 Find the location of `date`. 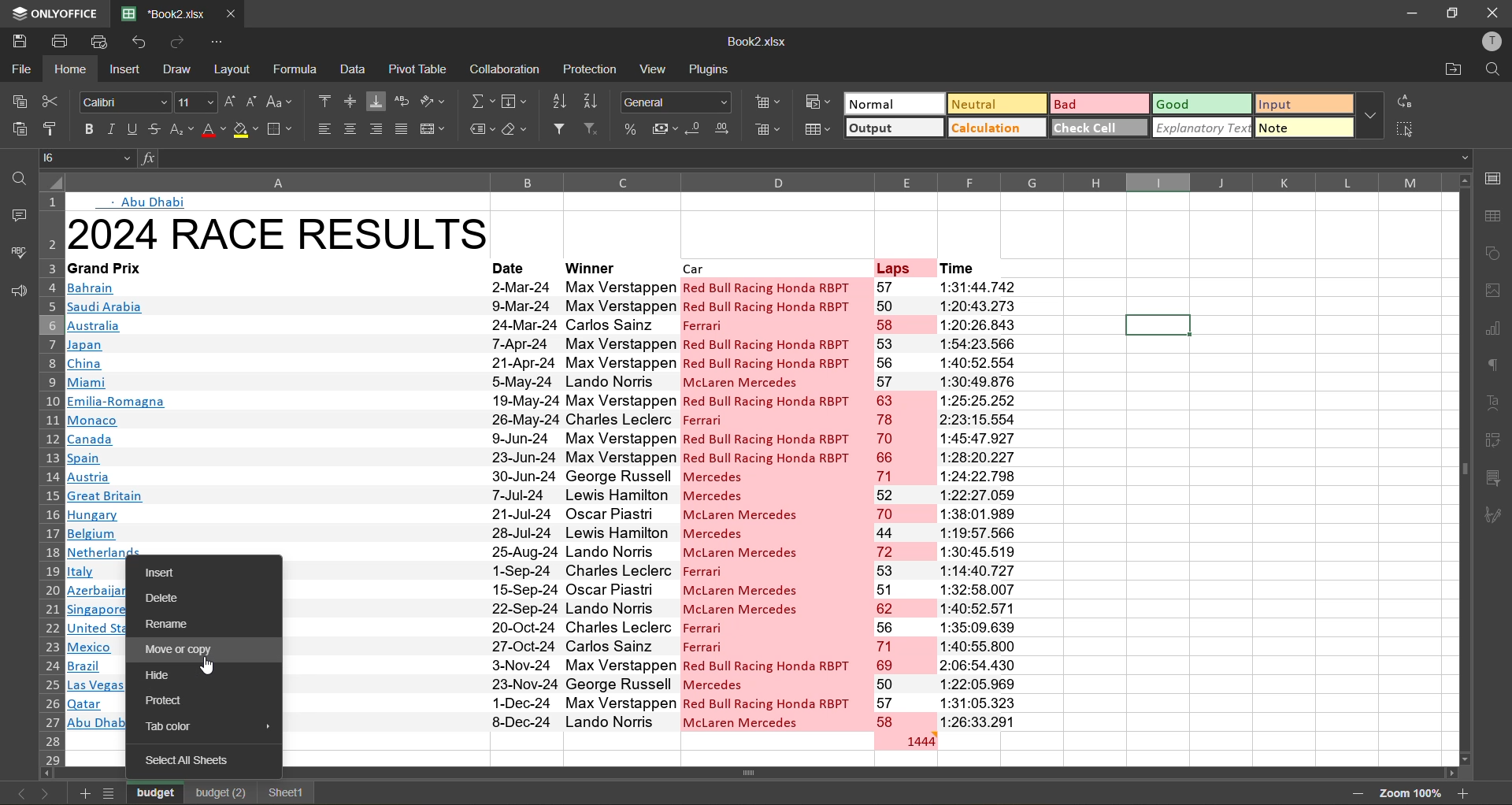

date is located at coordinates (513, 266).